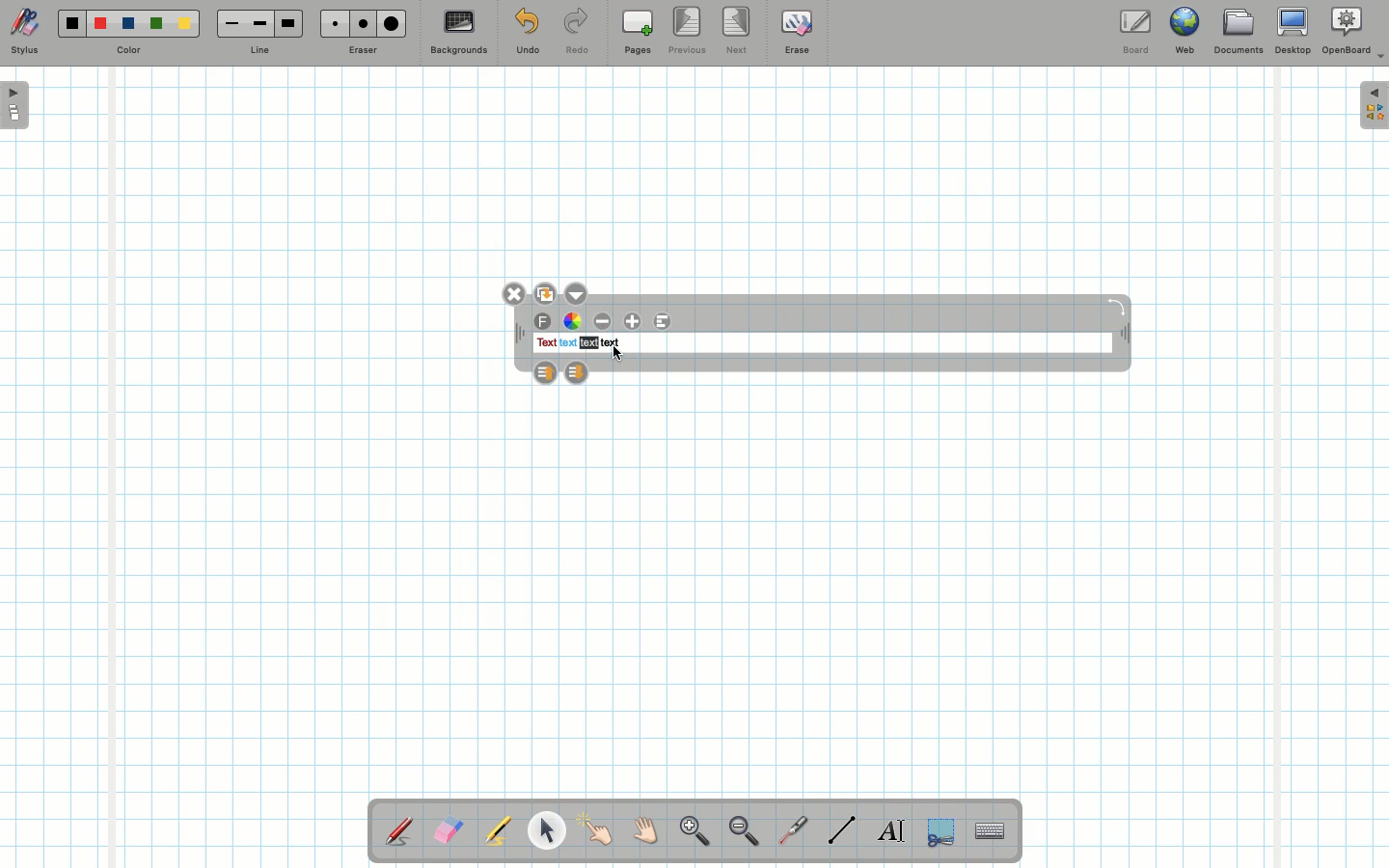 The image size is (1389, 868). What do you see at coordinates (448, 832) in the screenshot?
I see `Eraser` at bounding box center [448, 832].